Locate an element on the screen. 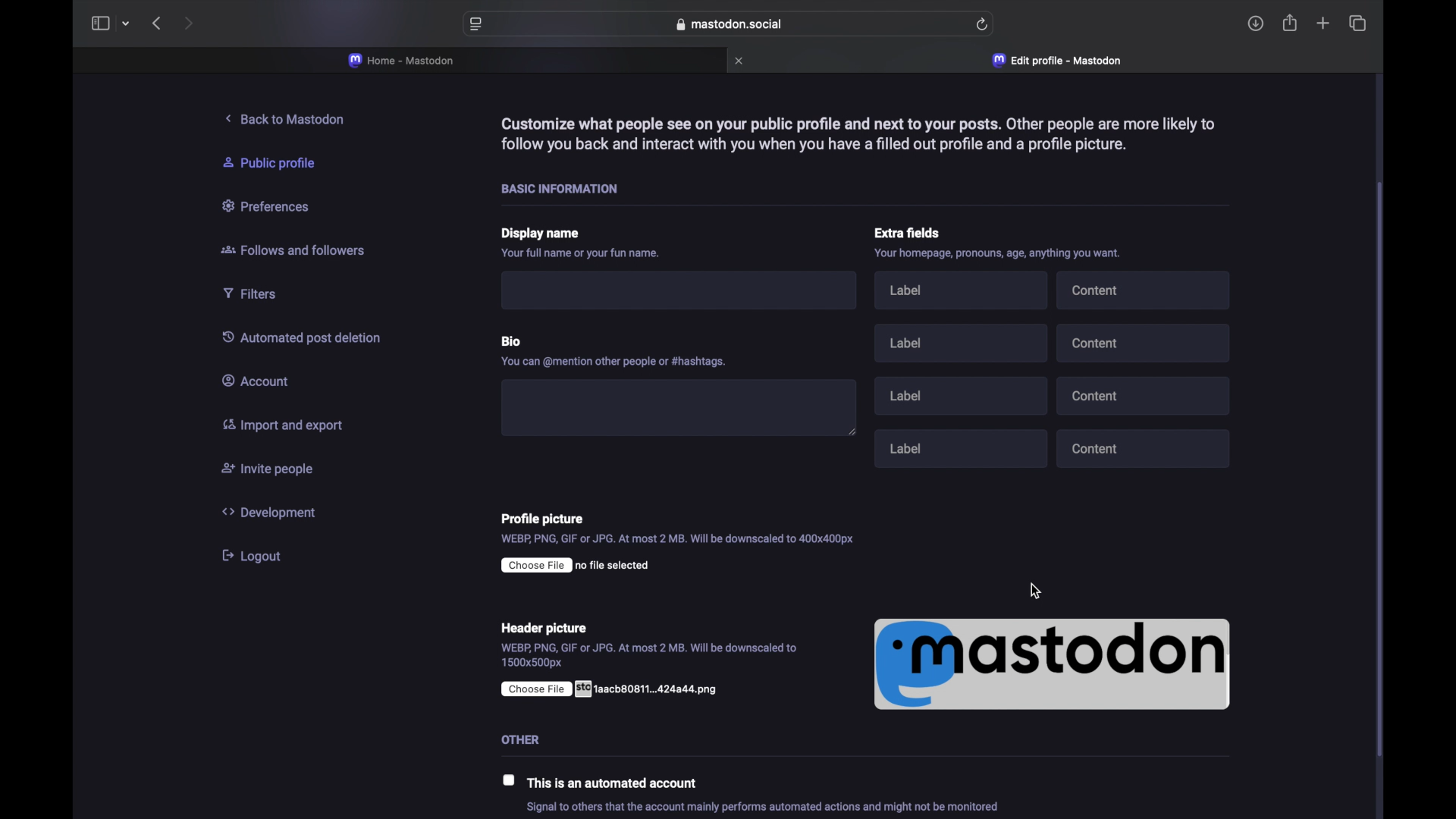  invite people is located at coordinates (268, 470).